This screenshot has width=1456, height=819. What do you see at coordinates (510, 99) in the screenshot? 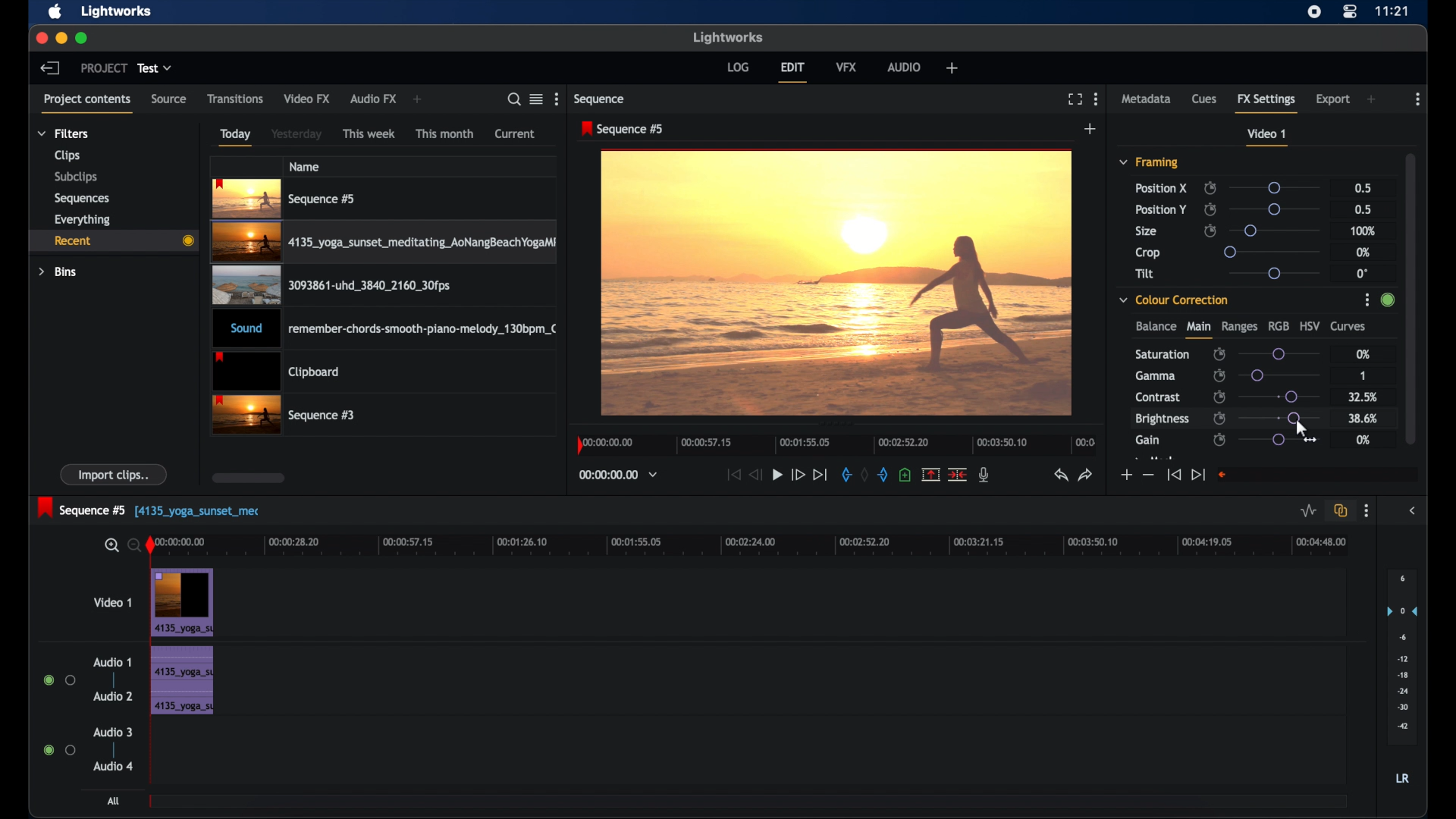
I see `search` at bounding box center [510, 99].